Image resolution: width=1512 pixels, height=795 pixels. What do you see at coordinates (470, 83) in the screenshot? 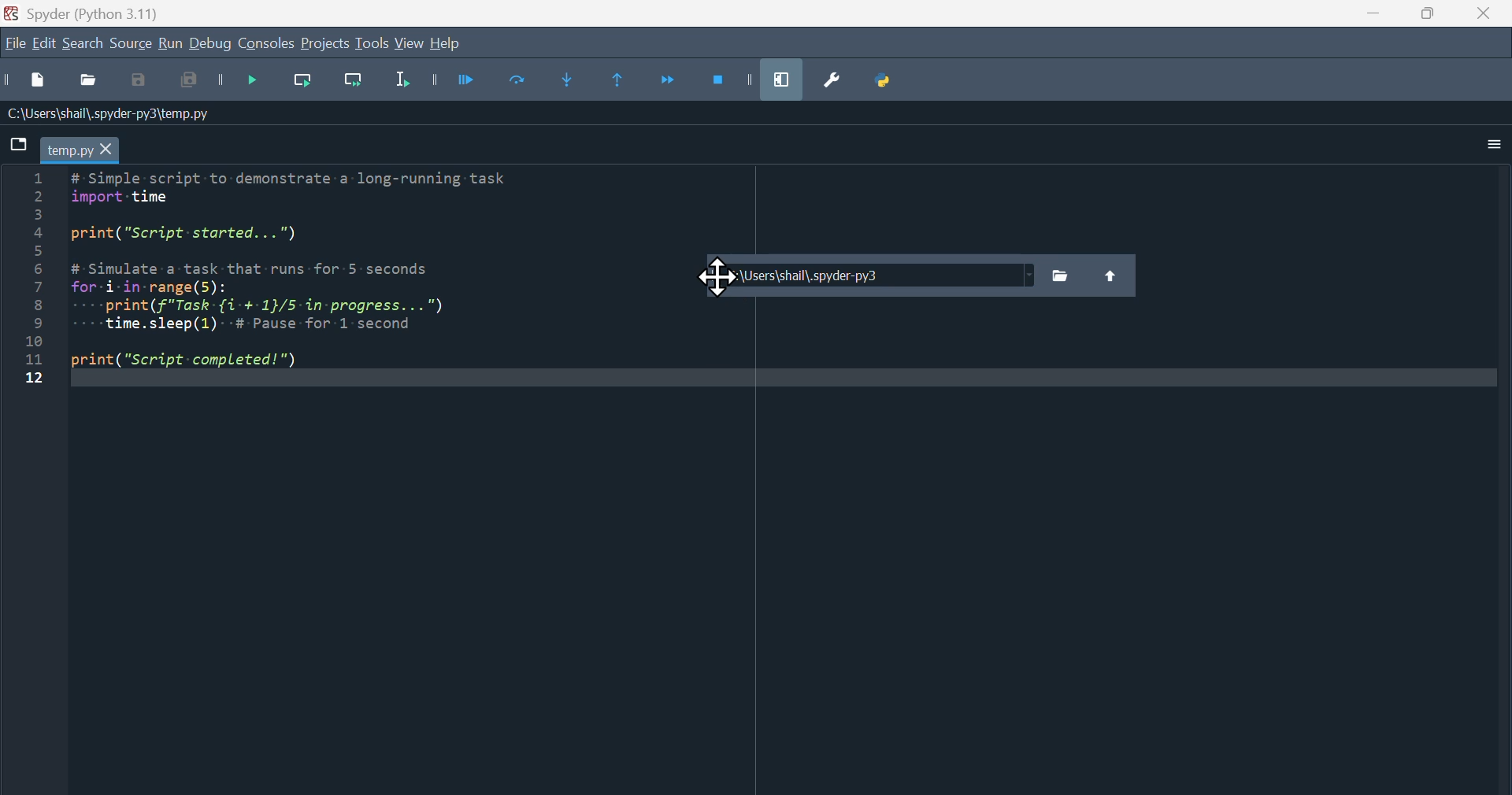
I see `Debug files` at bounding box center [470, 83].